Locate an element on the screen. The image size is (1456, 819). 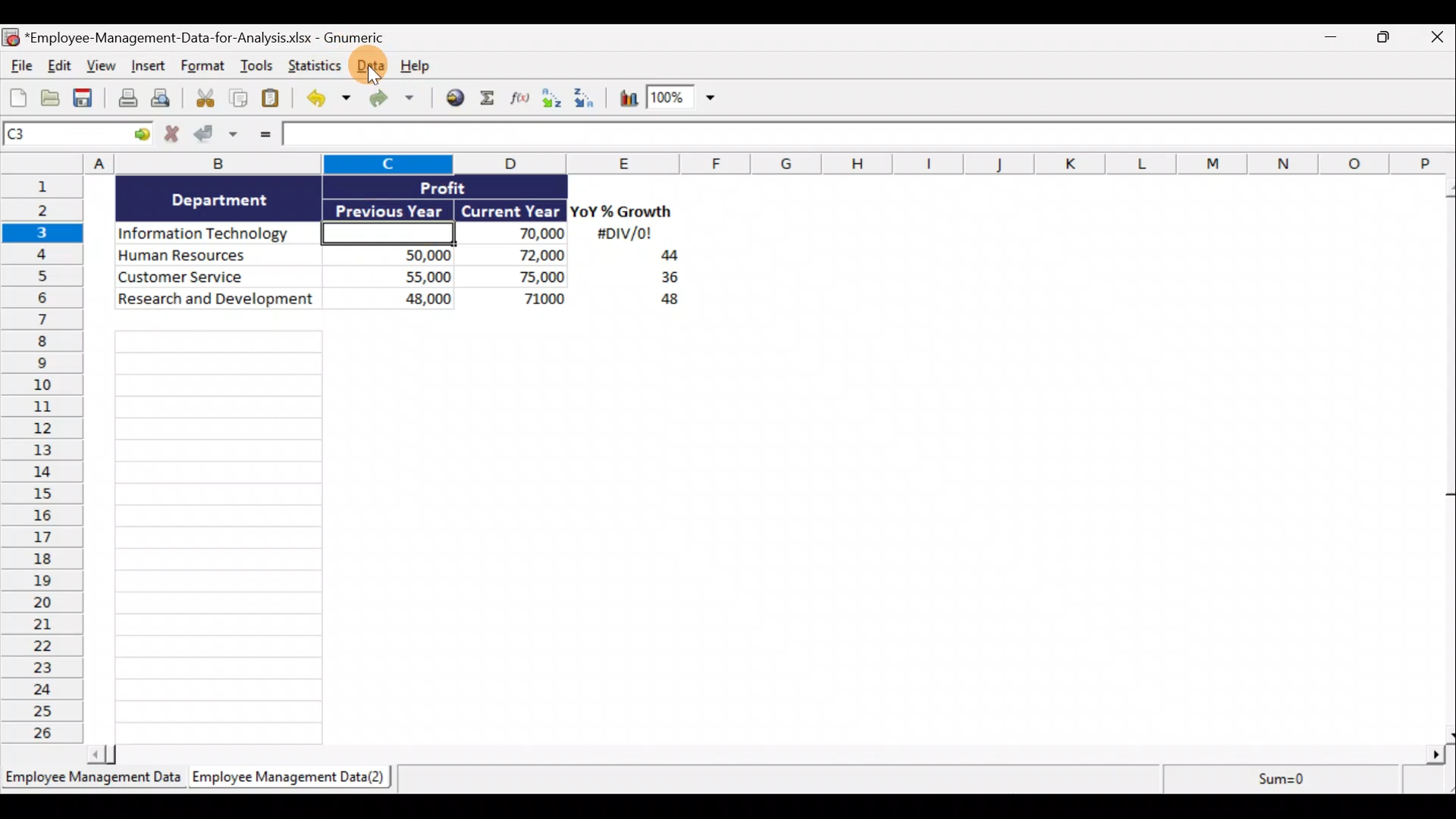
36 is located at coordinates (664, 280).